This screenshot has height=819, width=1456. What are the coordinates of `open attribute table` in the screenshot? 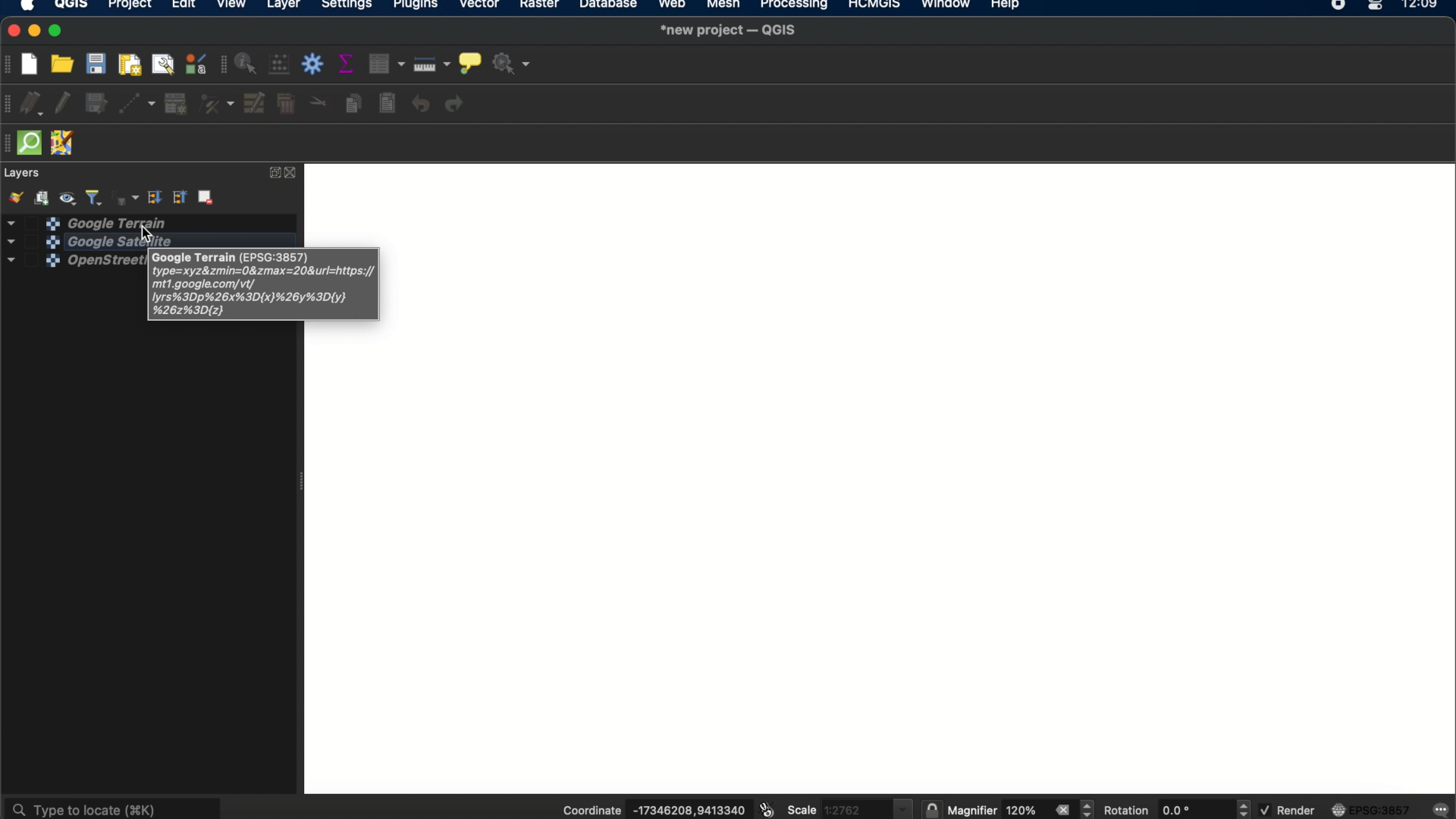 It's located at (389, 64).